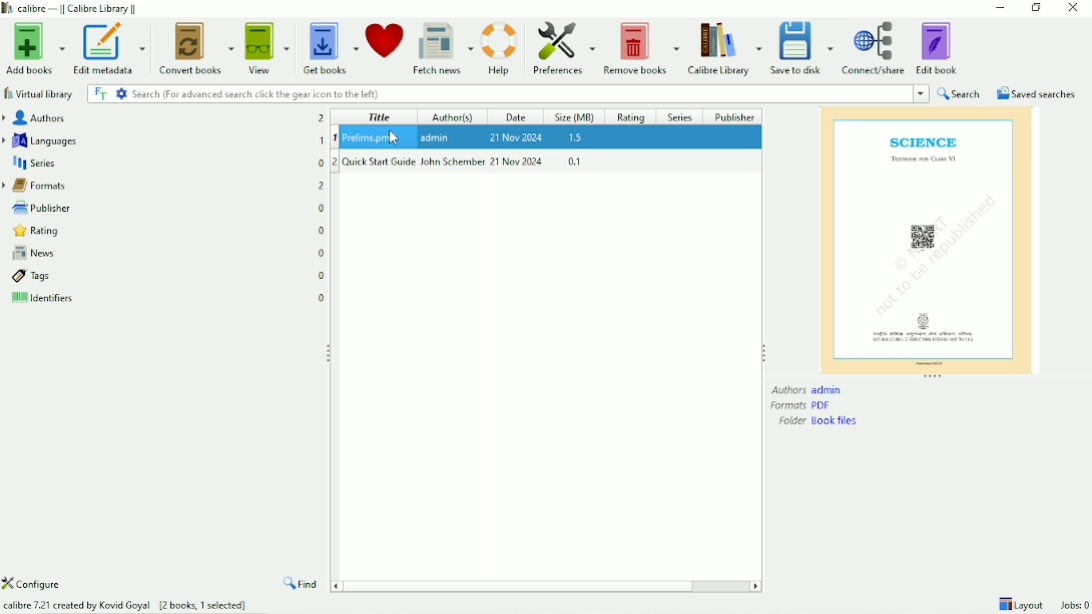  I want to click on Tags, so click(28, 277).